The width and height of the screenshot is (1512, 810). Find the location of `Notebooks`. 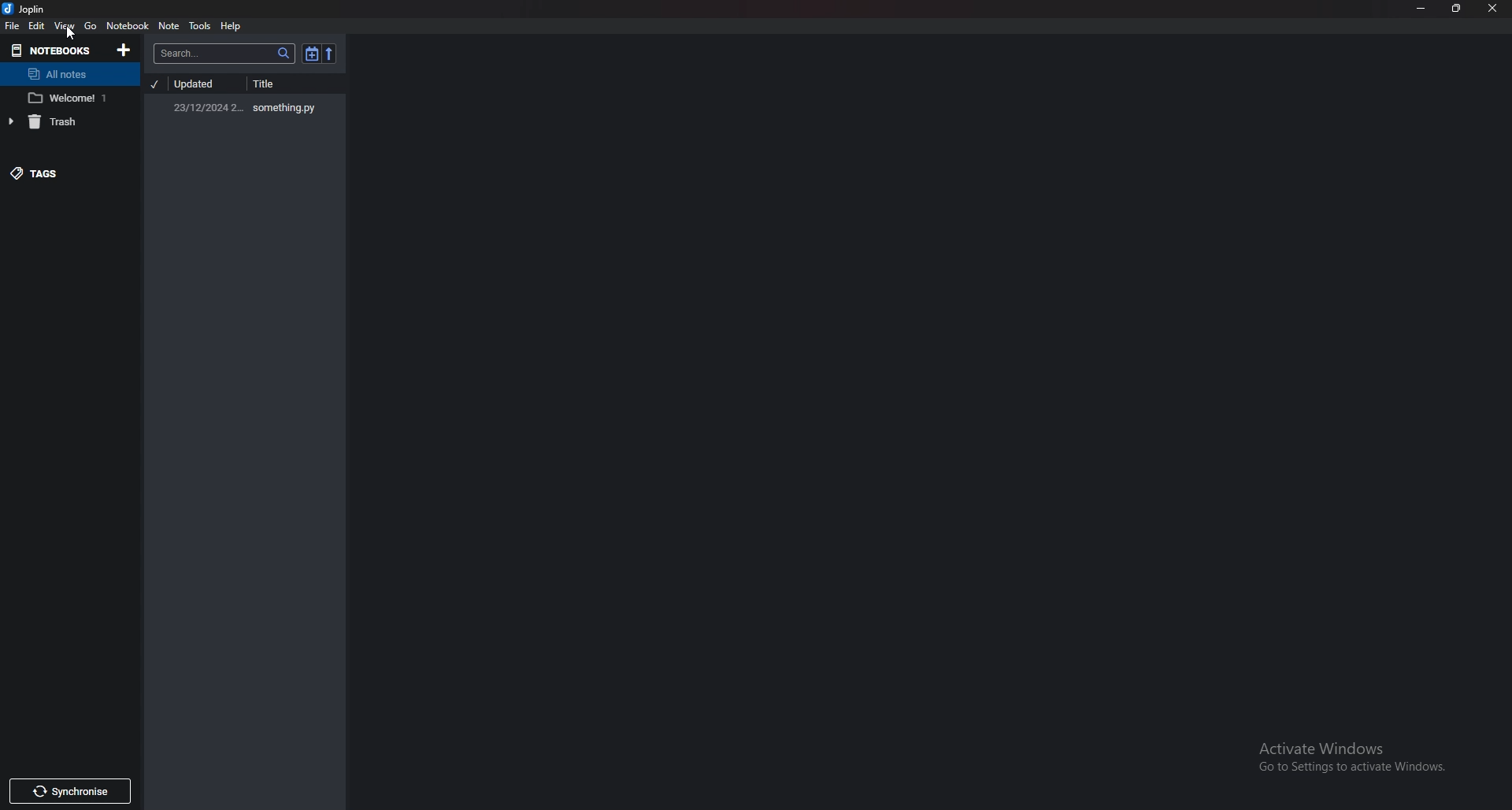

Notebooks is located at coordinates (54, 50).